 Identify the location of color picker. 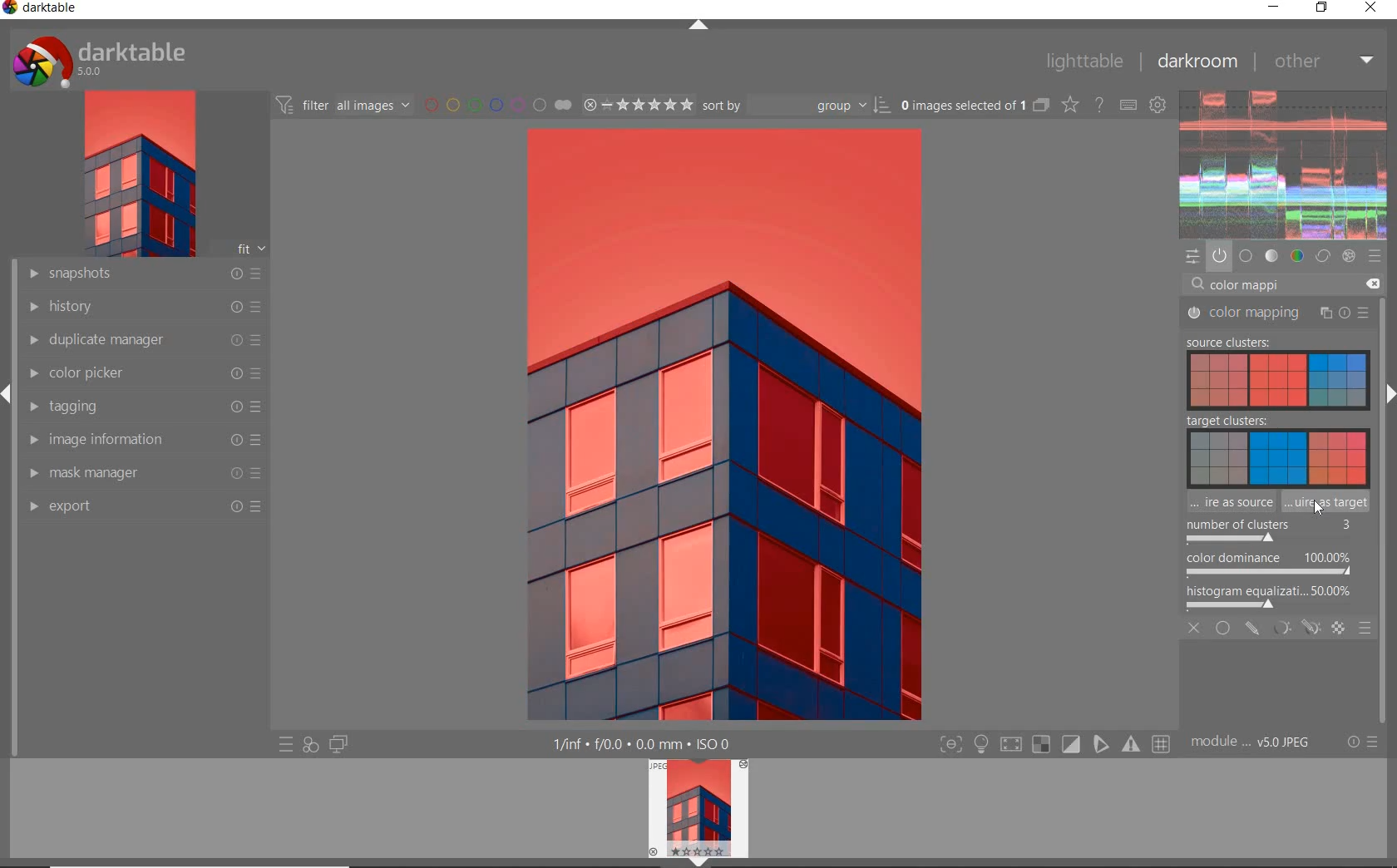
(144, 373).